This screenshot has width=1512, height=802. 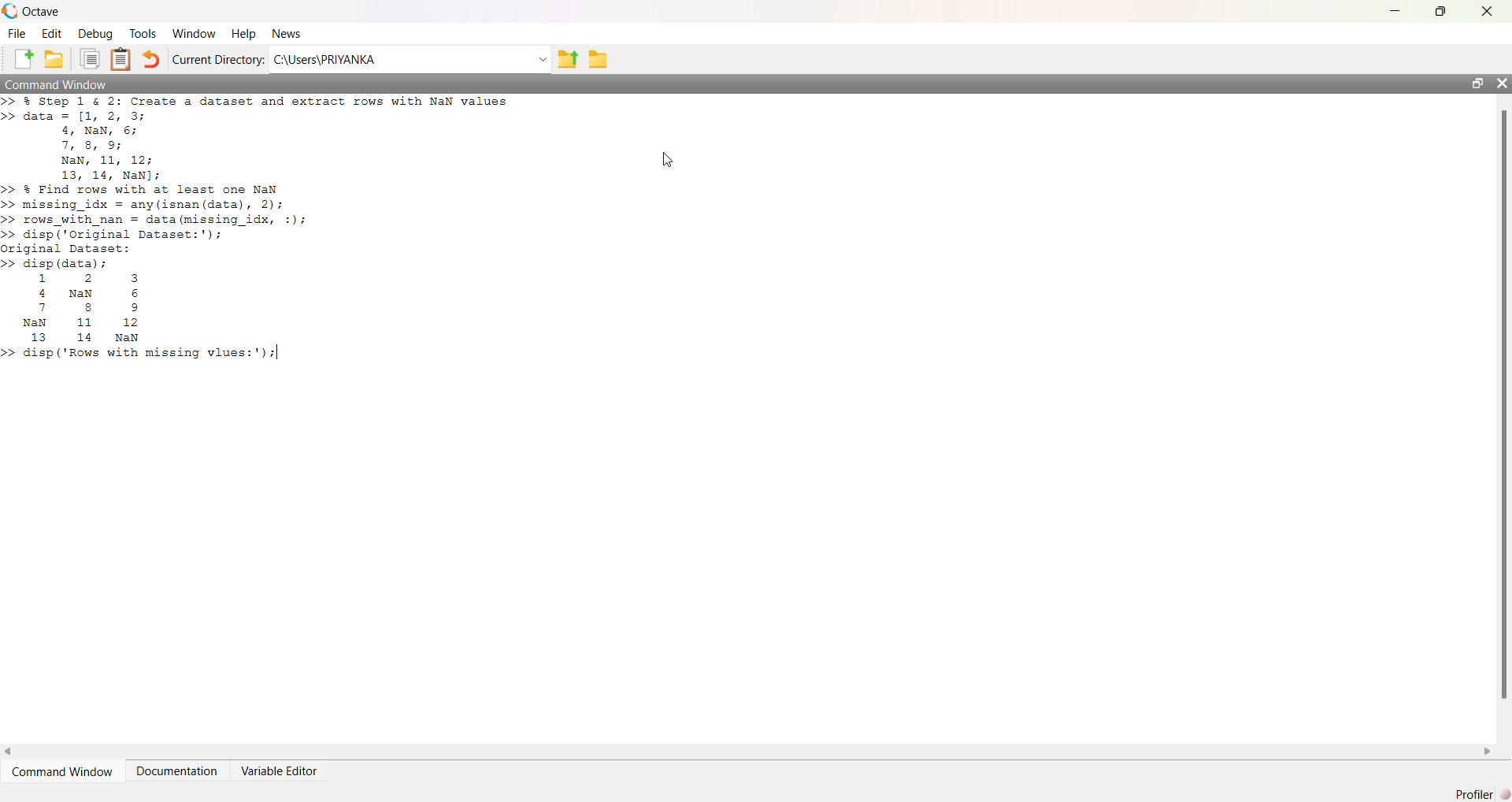 What do you see at coordinates (52, 34) in the screenshot?
I see `Edit` at bounding box center [52, 34].